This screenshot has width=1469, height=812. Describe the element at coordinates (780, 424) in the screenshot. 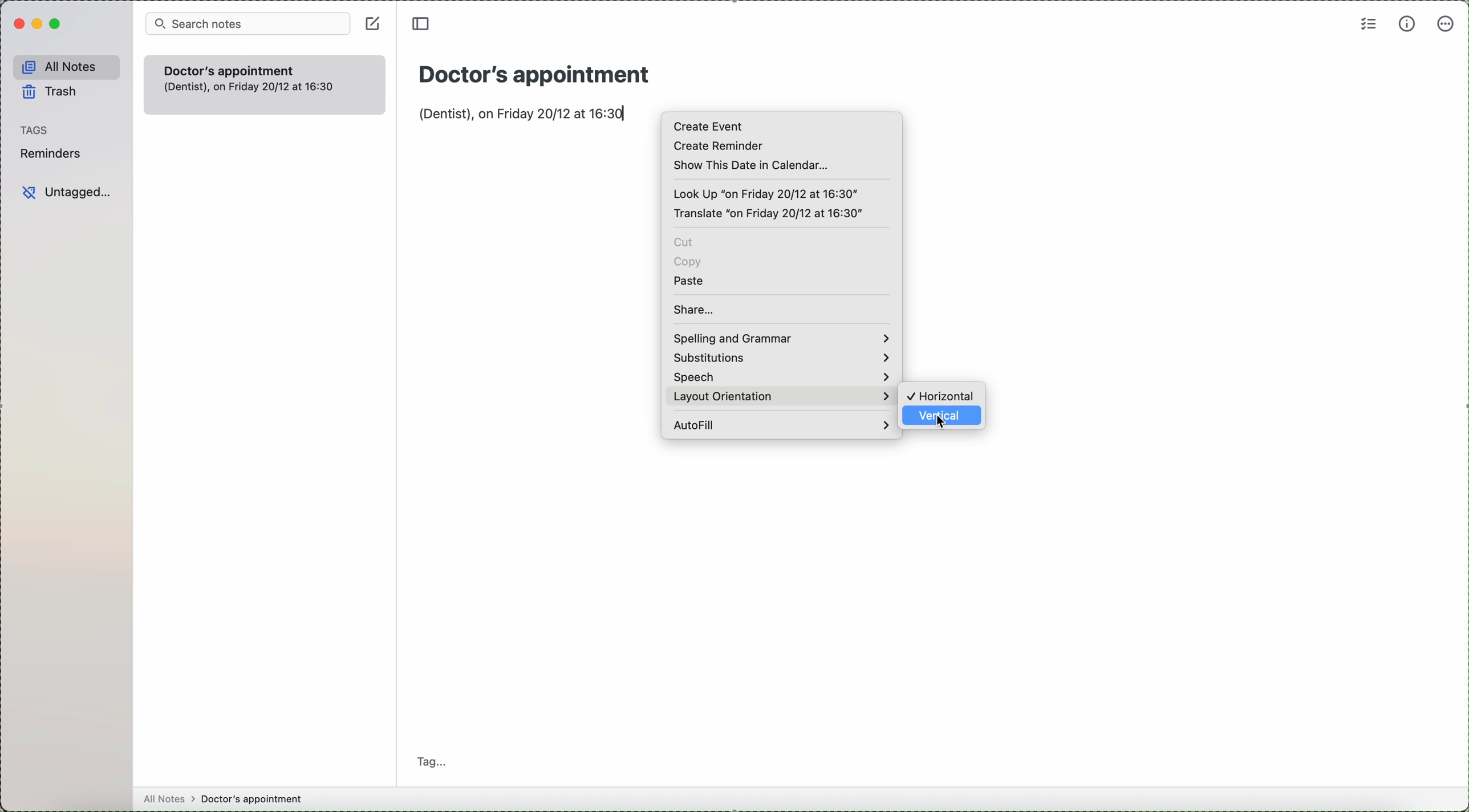

I see `autofill` at that location.